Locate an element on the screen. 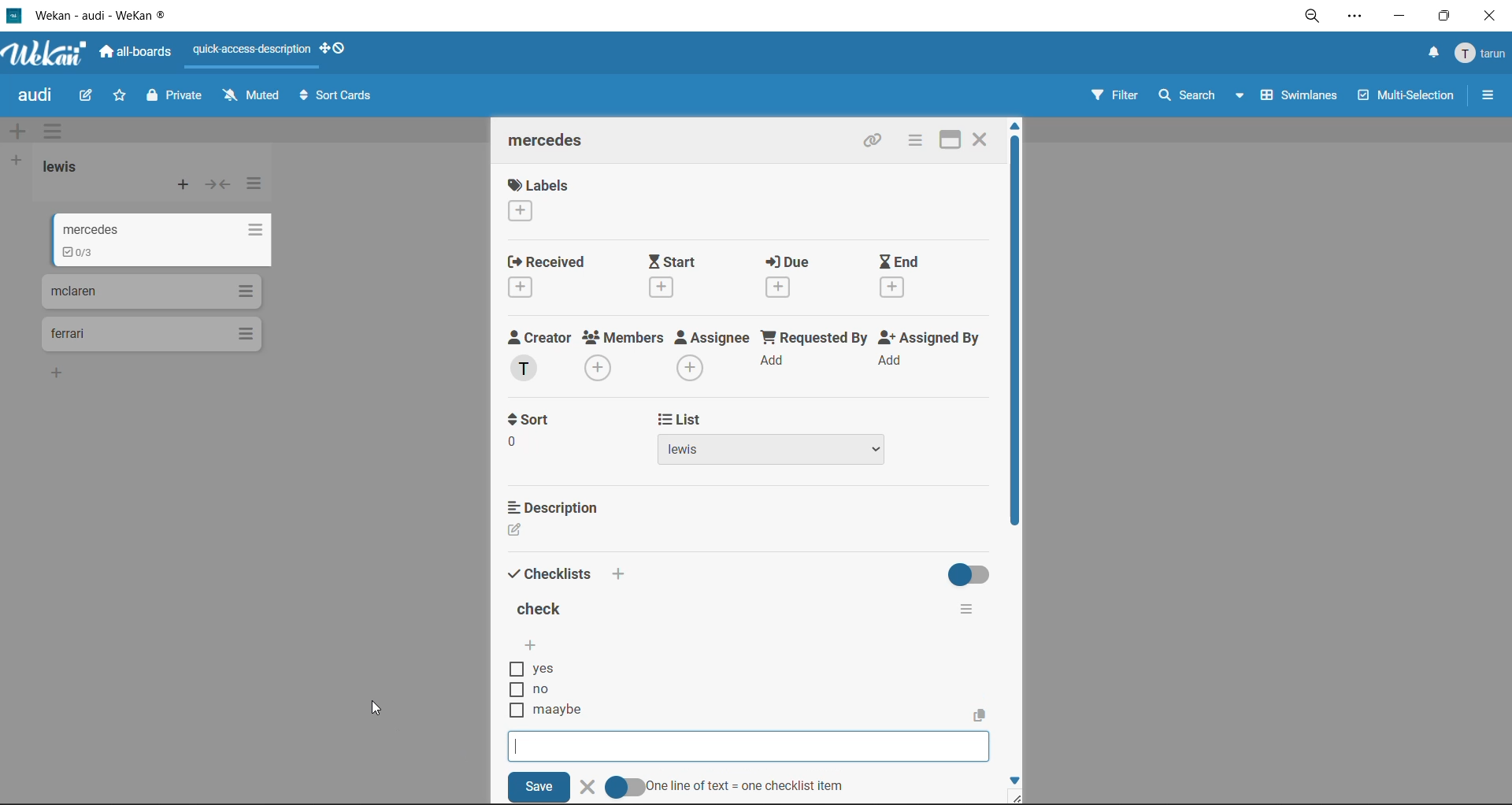 This screenshot has width=1512, height=805. list actions is located at coordinates (256, 188).